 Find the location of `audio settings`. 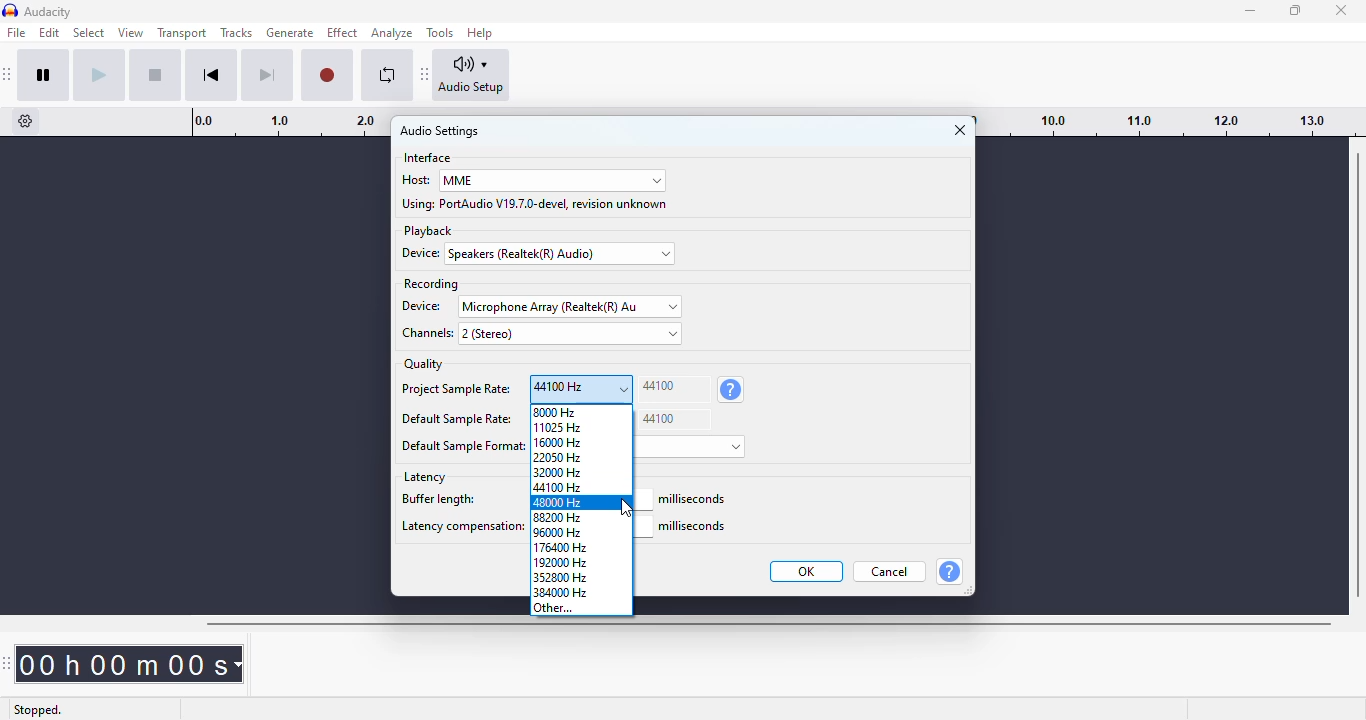

audio settings is located at coordinates (440, 131).